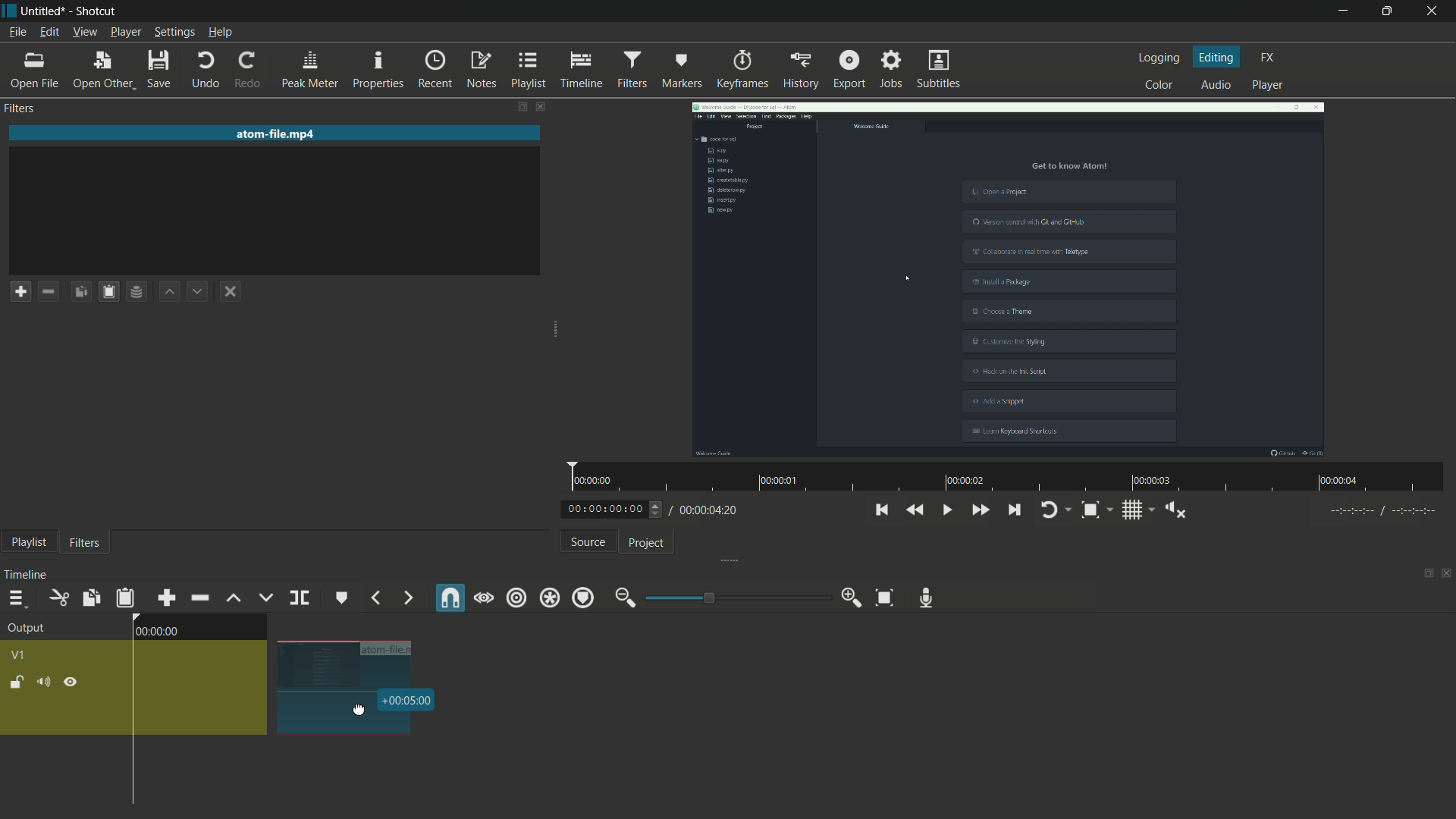 The image size is (1456, 819). Describe the element at coordinates (375, 598) in the screenshot. I see `previous marker` at that location.